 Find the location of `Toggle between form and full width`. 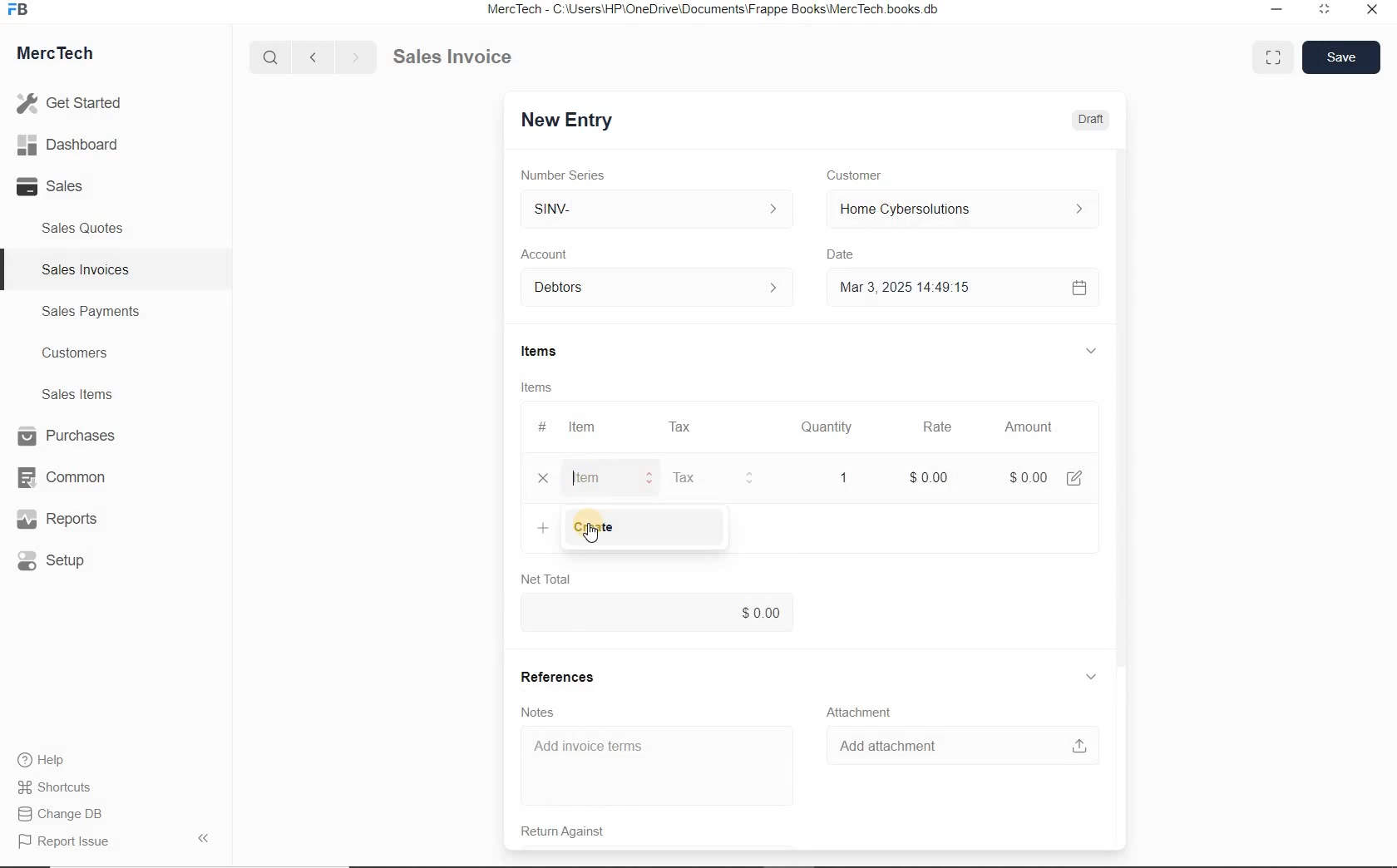

Toggle between form and full width is located at coordinates (1269, 56).